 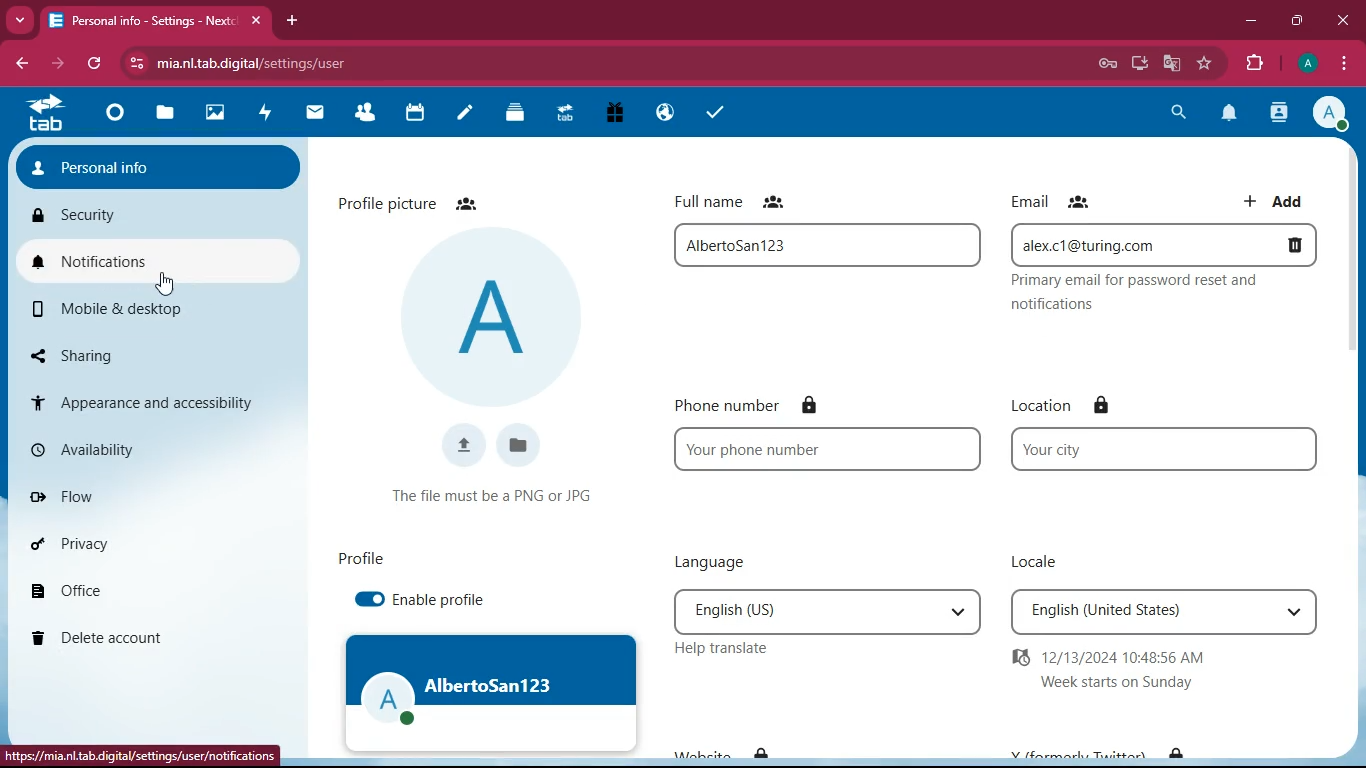 I want to click on enable profile, so click(x=420, y=601).